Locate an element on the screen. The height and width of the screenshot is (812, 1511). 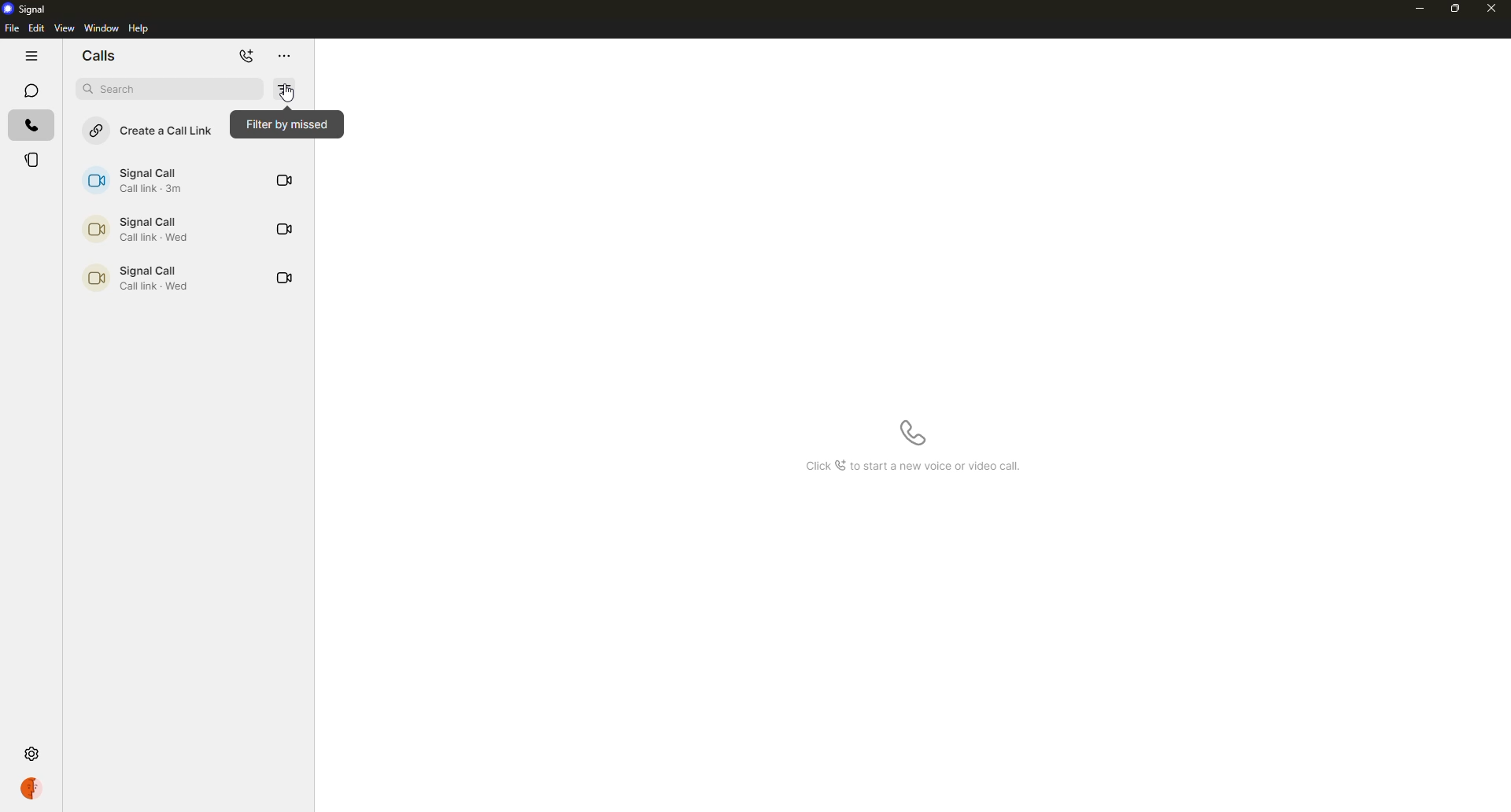
search is located at coordinates (170, 89).